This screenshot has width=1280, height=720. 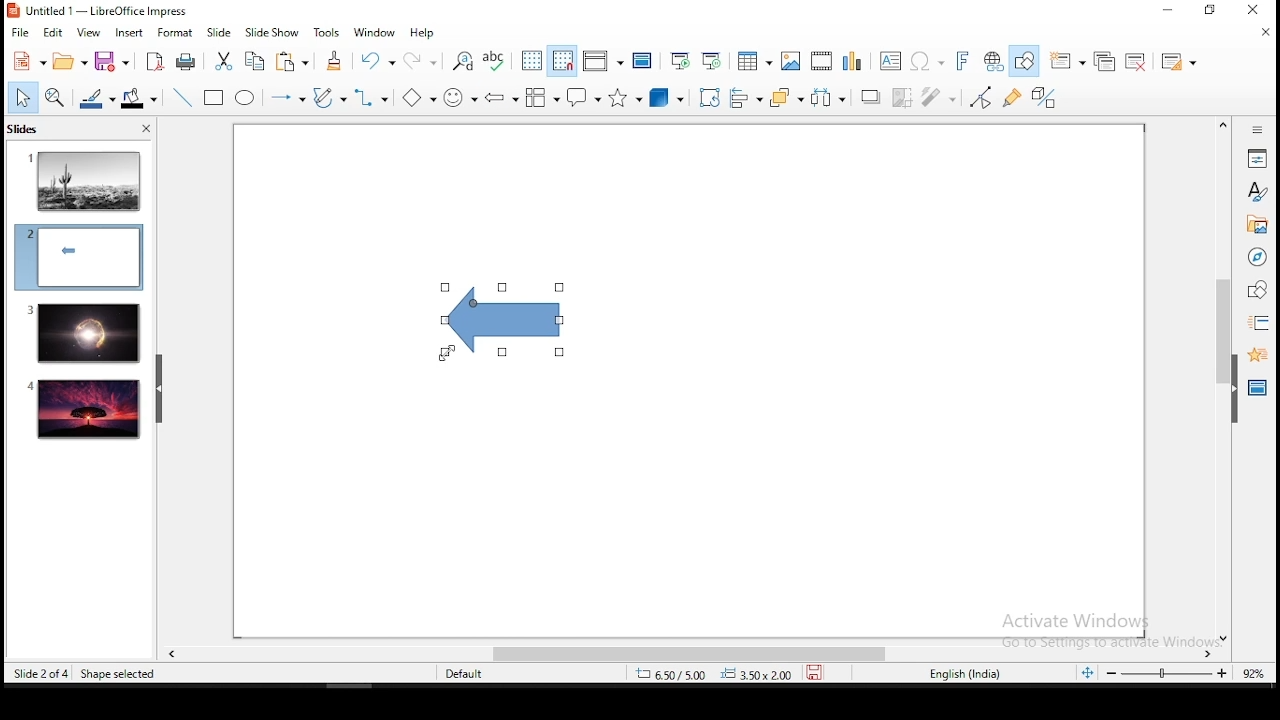 I want to click on lines and arrows, so click(x=287, y=98).